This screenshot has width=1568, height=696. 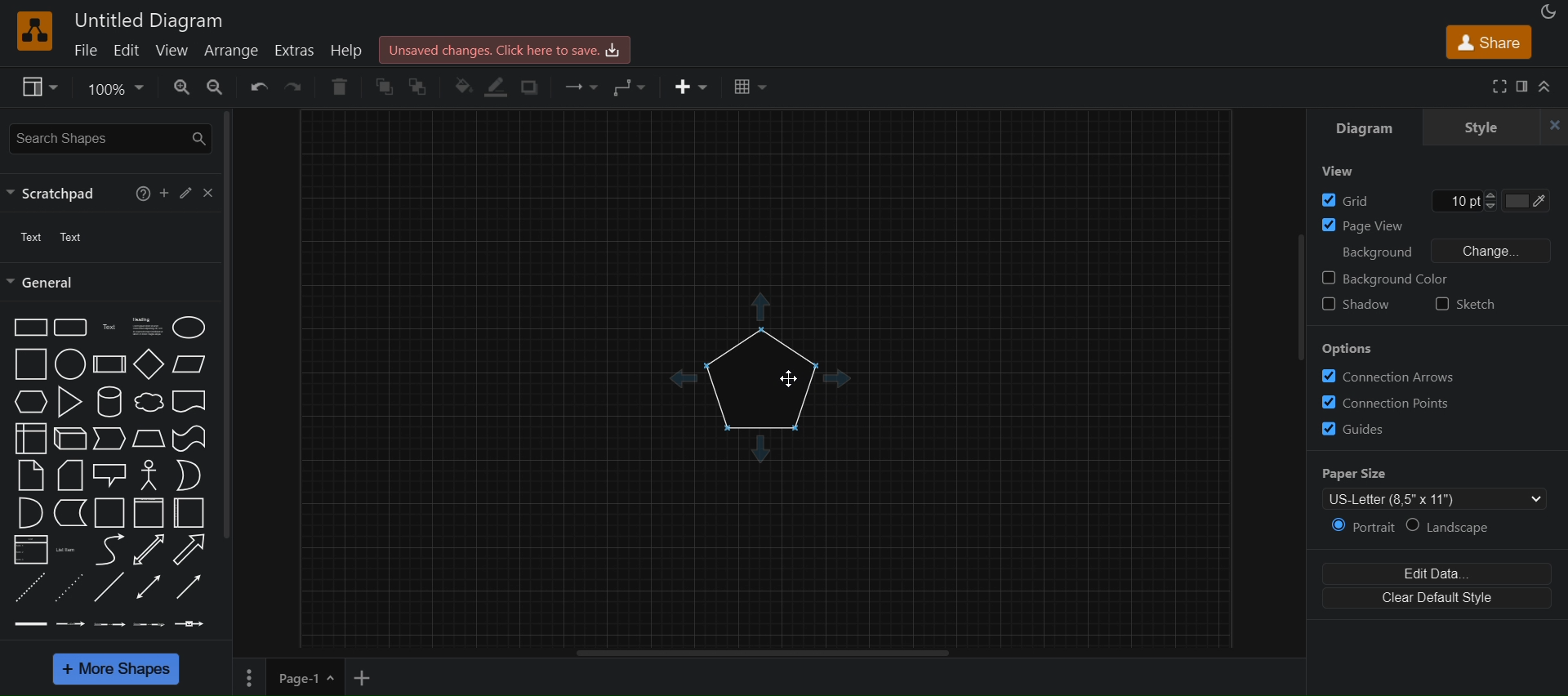 What do you see at coordinates (31, 624) in the screenshot?
I see `Link` at bounding box center [31, 624].